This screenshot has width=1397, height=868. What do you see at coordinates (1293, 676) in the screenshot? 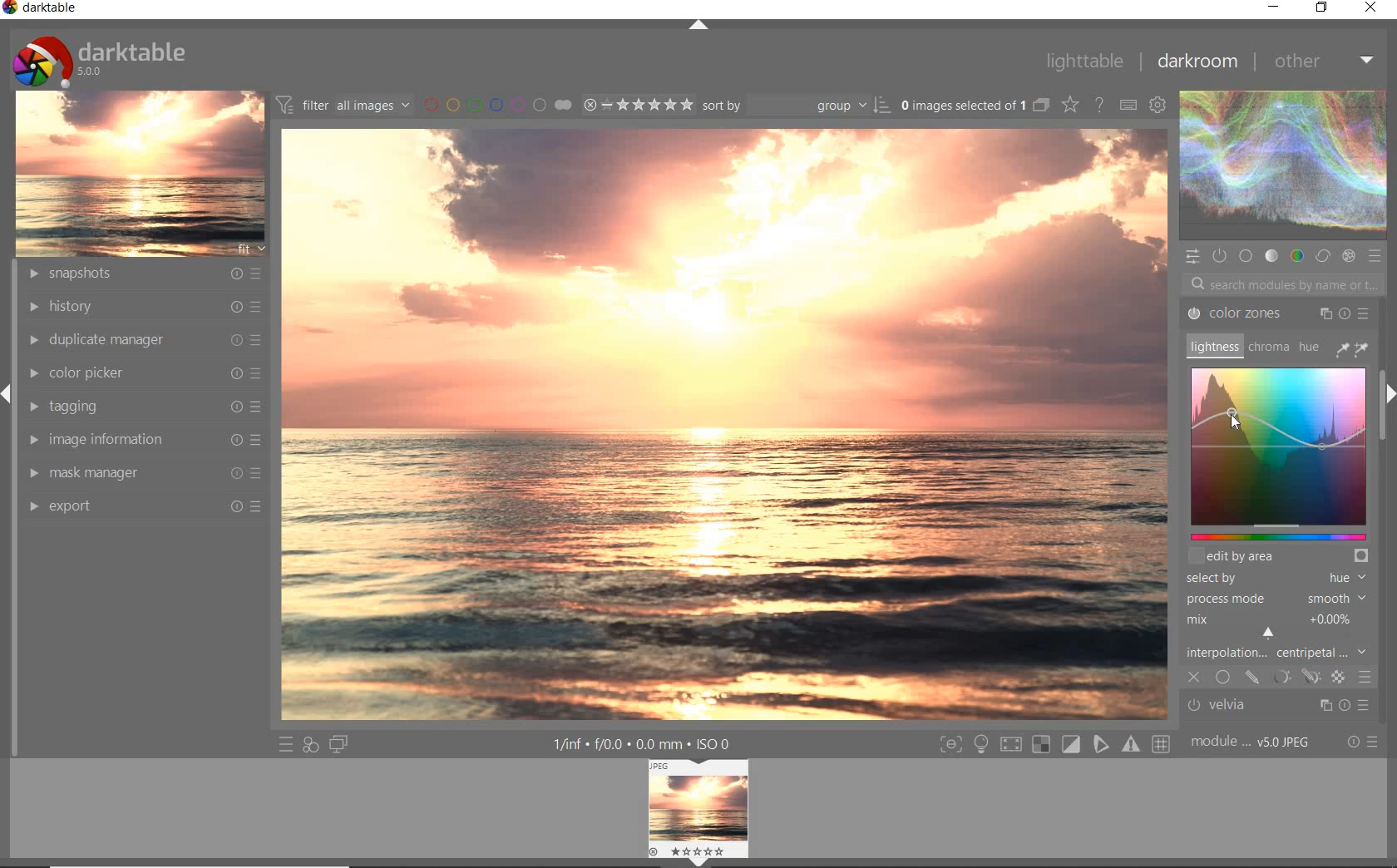
I see `MASKING OPTIONS` at bounding box center [1293, 676].